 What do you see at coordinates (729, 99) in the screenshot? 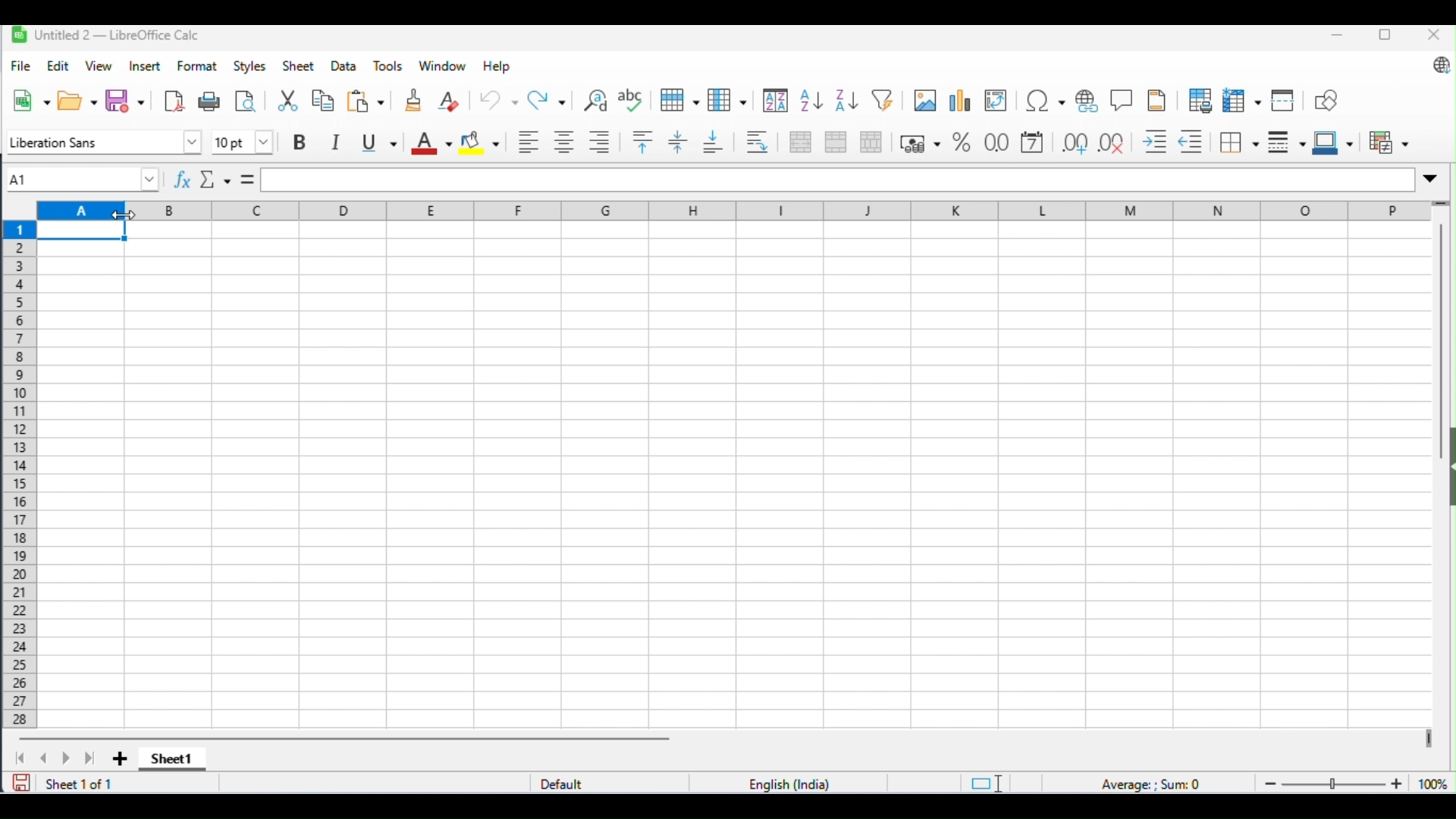
I see `column` at bounding box center [729, 99].